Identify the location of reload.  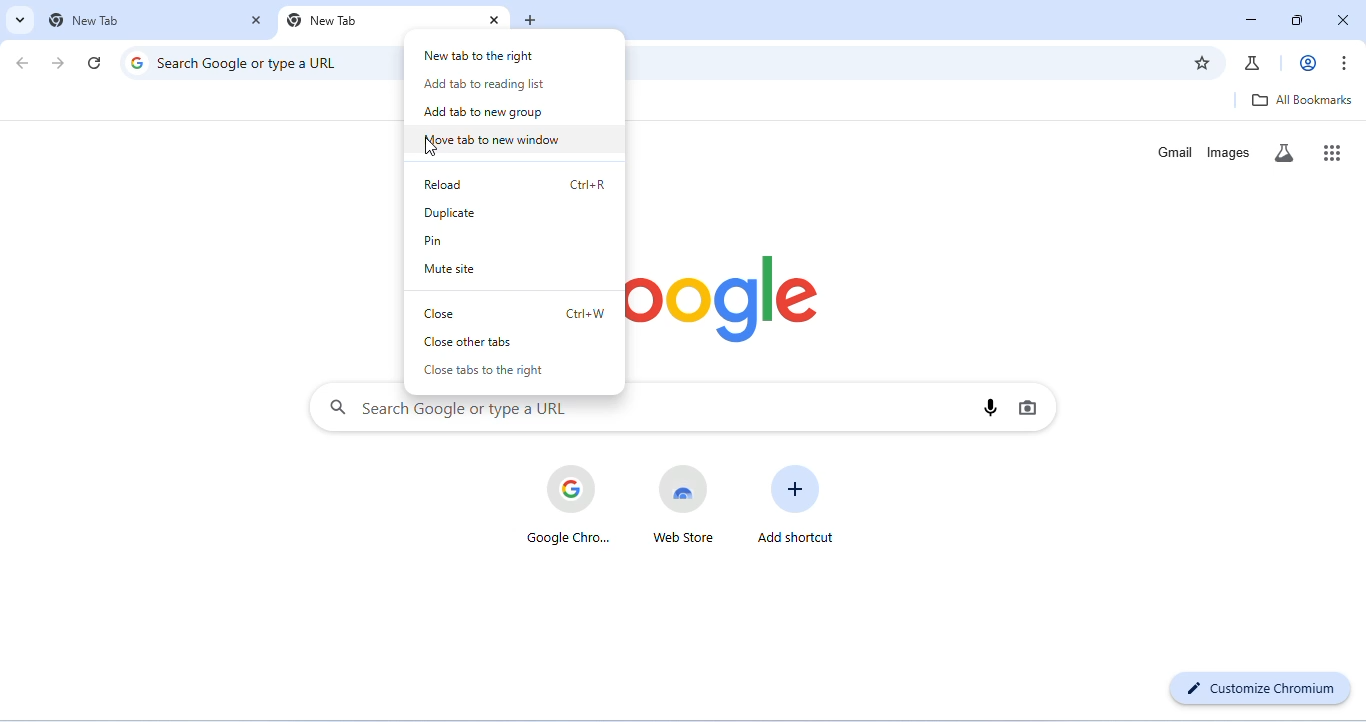
(516, 186).